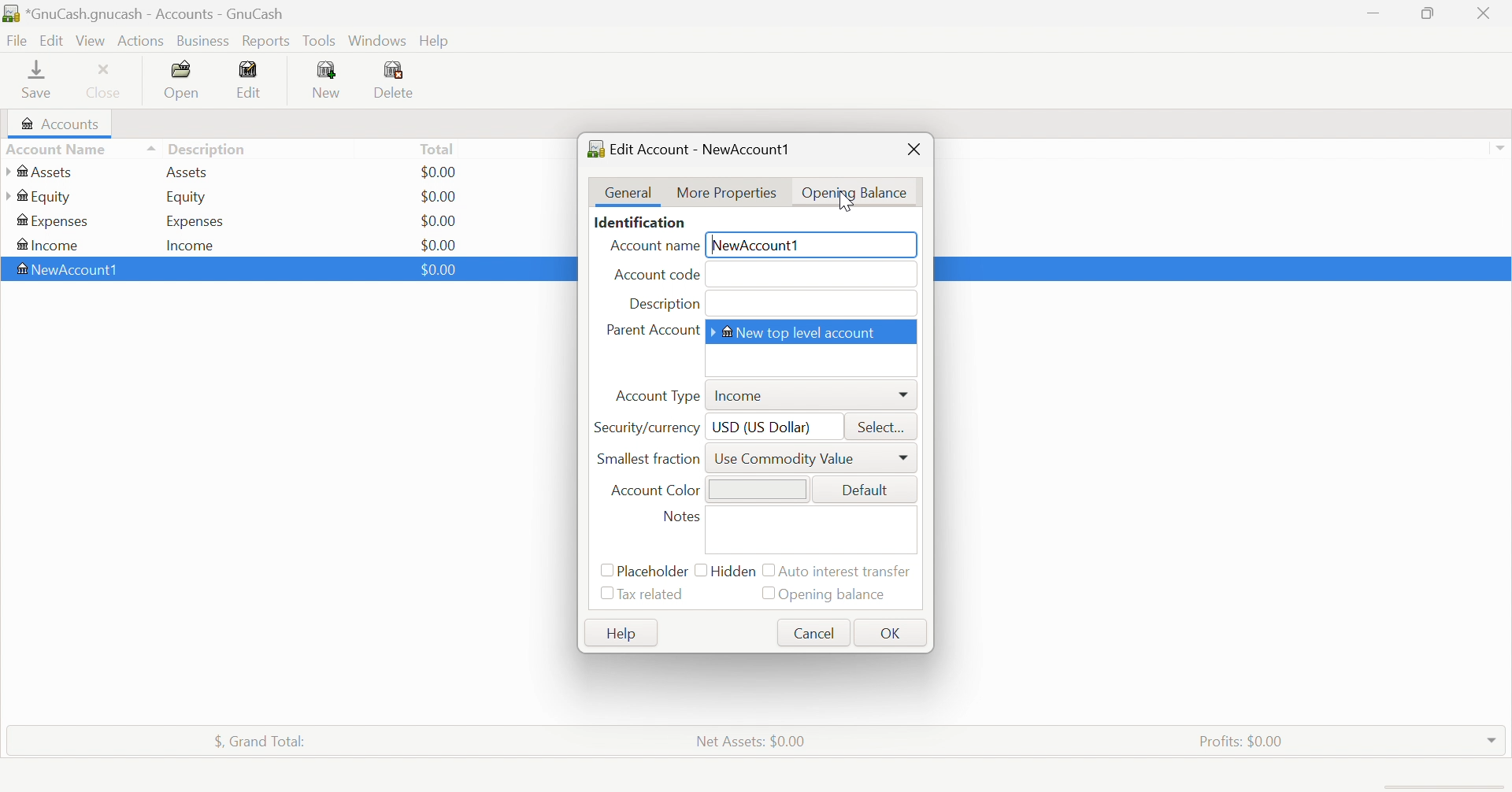 This screenshot has width=1512, height=792. What do you see at coordinates (653, 246) in the screenshot?
I see `Account Name` at bounding box center [653, 246].